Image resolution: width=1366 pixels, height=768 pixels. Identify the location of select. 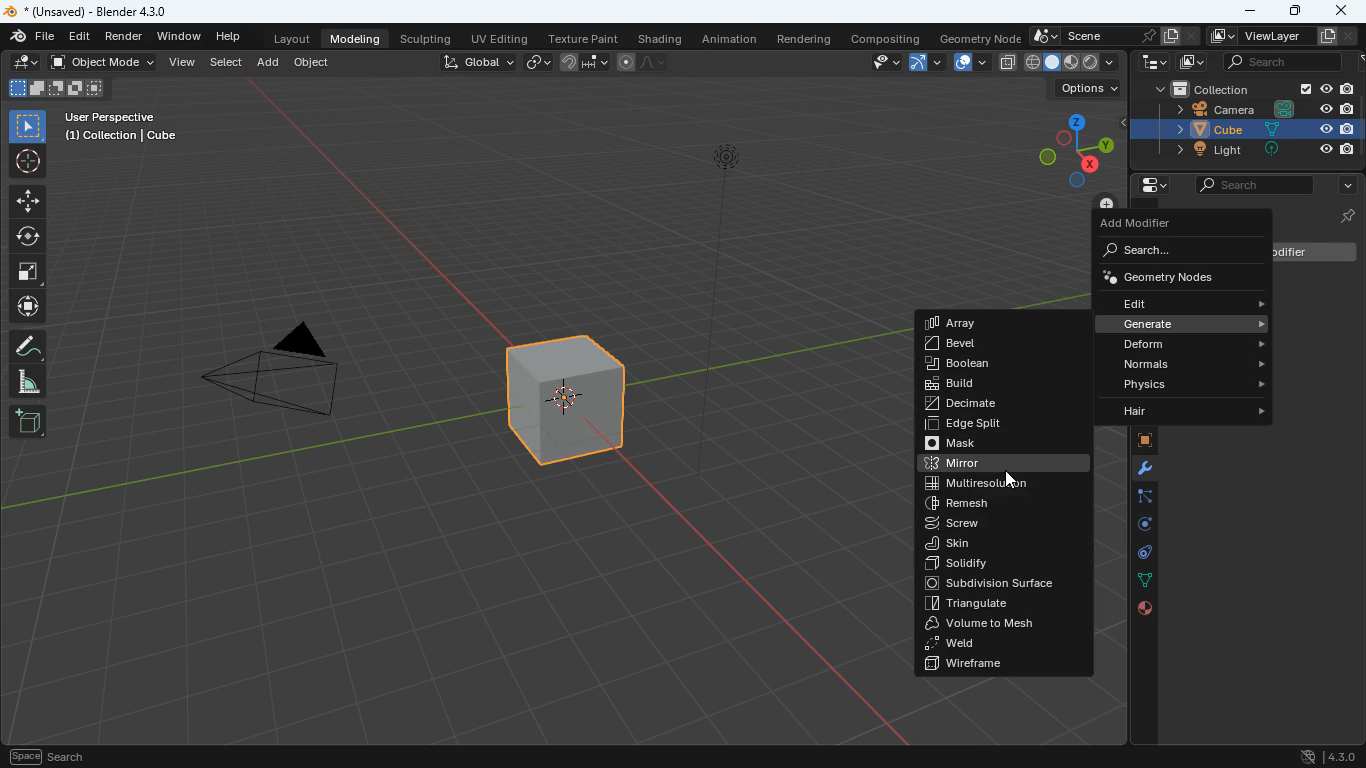
(228, 63).